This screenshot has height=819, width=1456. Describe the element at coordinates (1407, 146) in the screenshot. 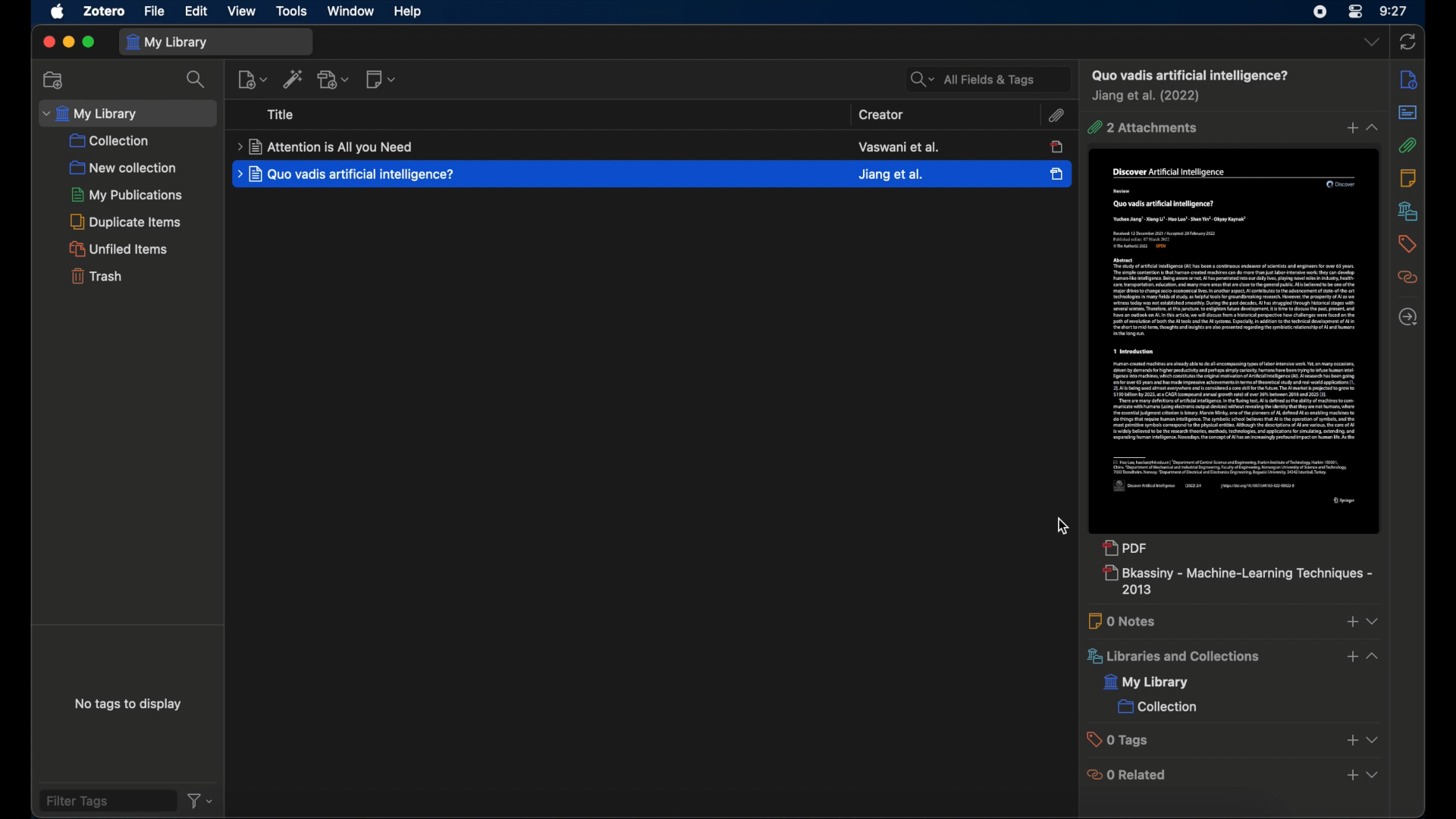

I see `attachments` at that location.